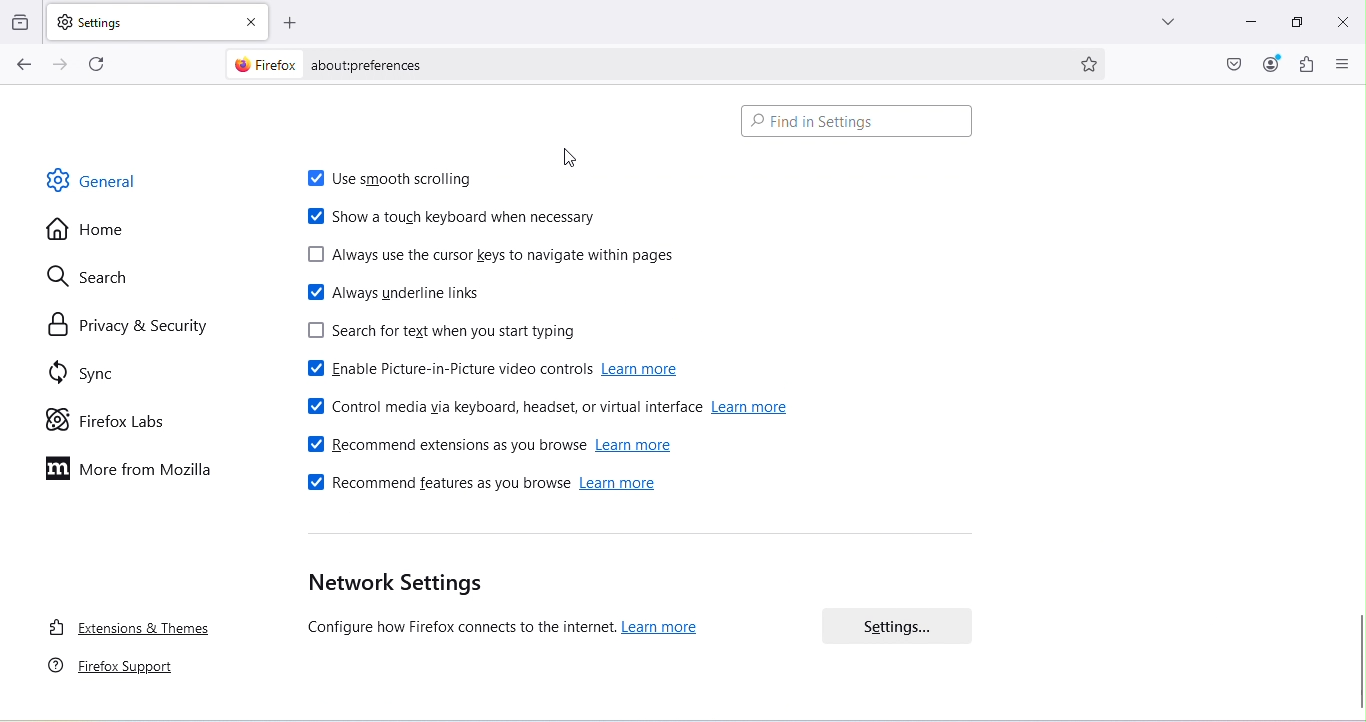 This screenshot has height=722, width=1366. I want to click on Address bar, so click(683, 64).